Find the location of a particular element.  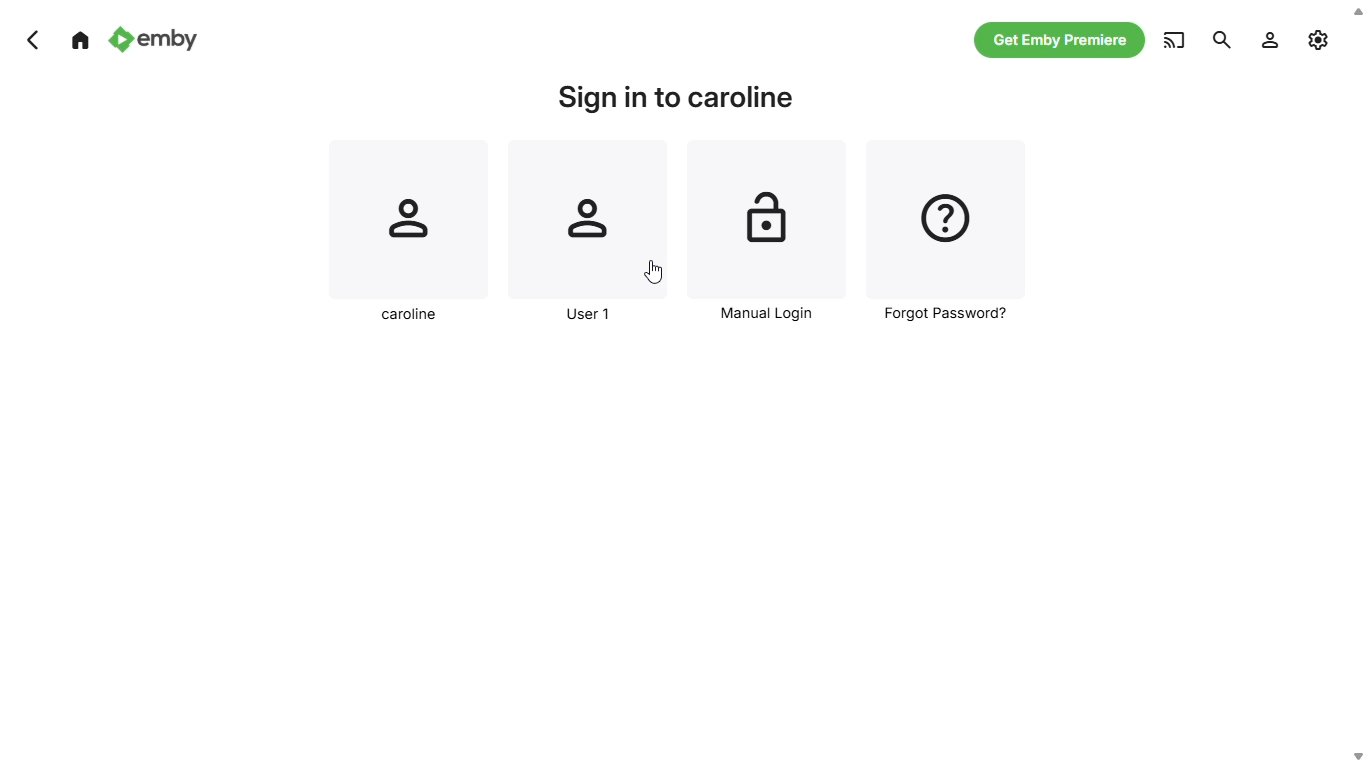

user 1 is located at coordinates (587, 234).